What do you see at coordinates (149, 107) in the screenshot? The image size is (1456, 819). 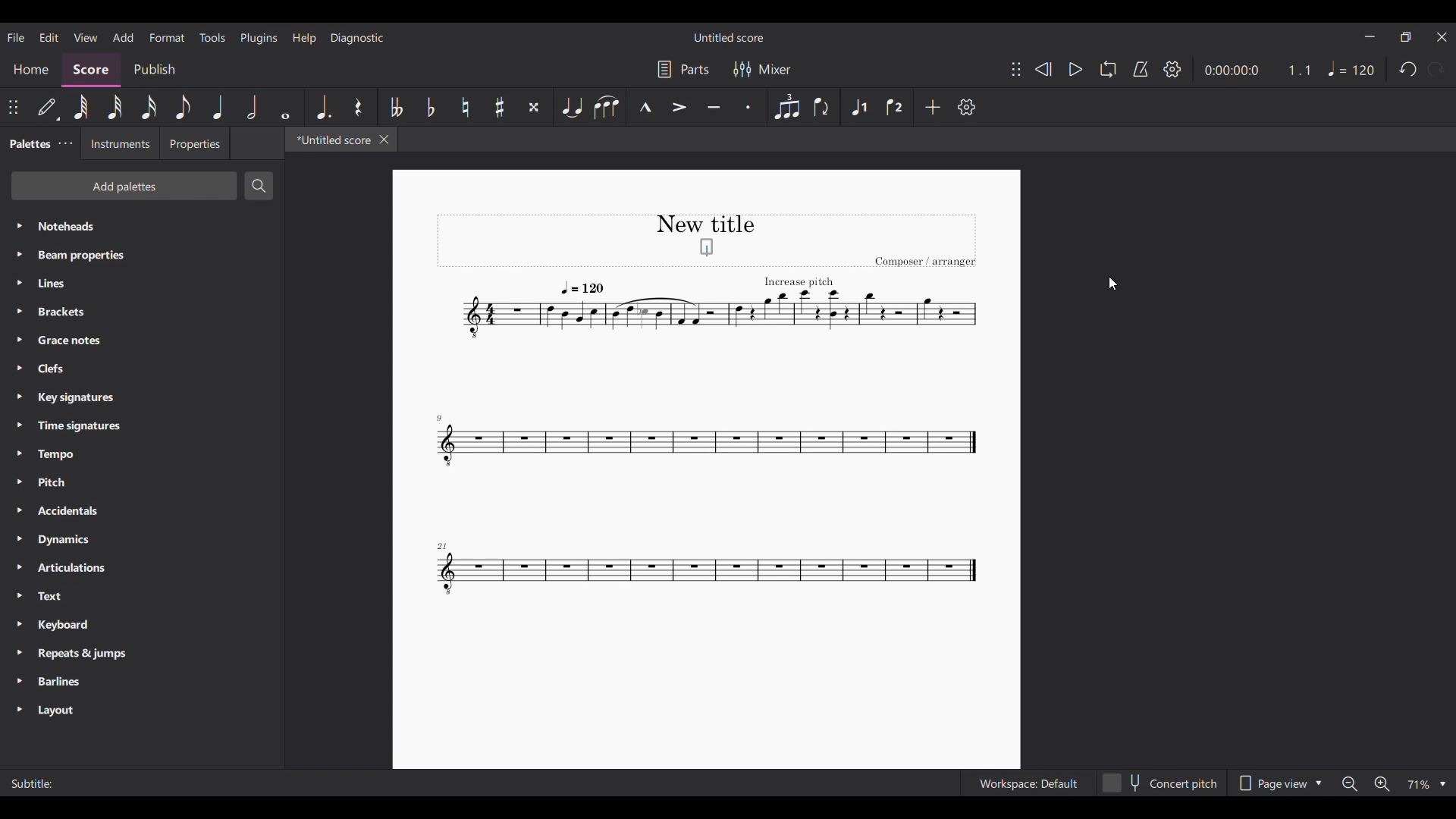 I see `16th note` at bounding box center [149, 107].